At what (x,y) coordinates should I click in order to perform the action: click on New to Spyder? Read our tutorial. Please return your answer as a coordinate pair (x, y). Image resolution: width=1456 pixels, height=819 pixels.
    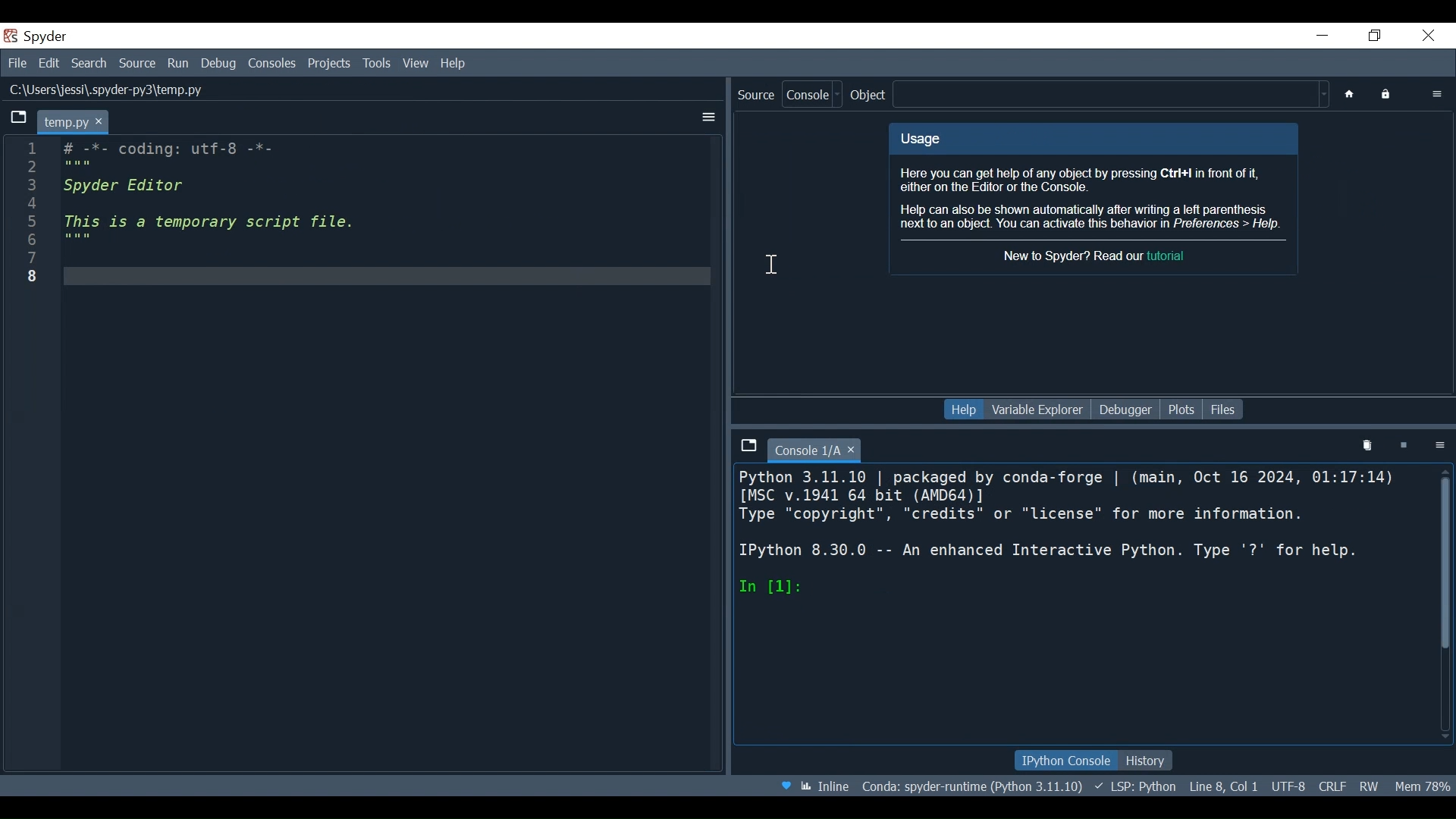
    Looking at the image, I should click on (1095, 257).